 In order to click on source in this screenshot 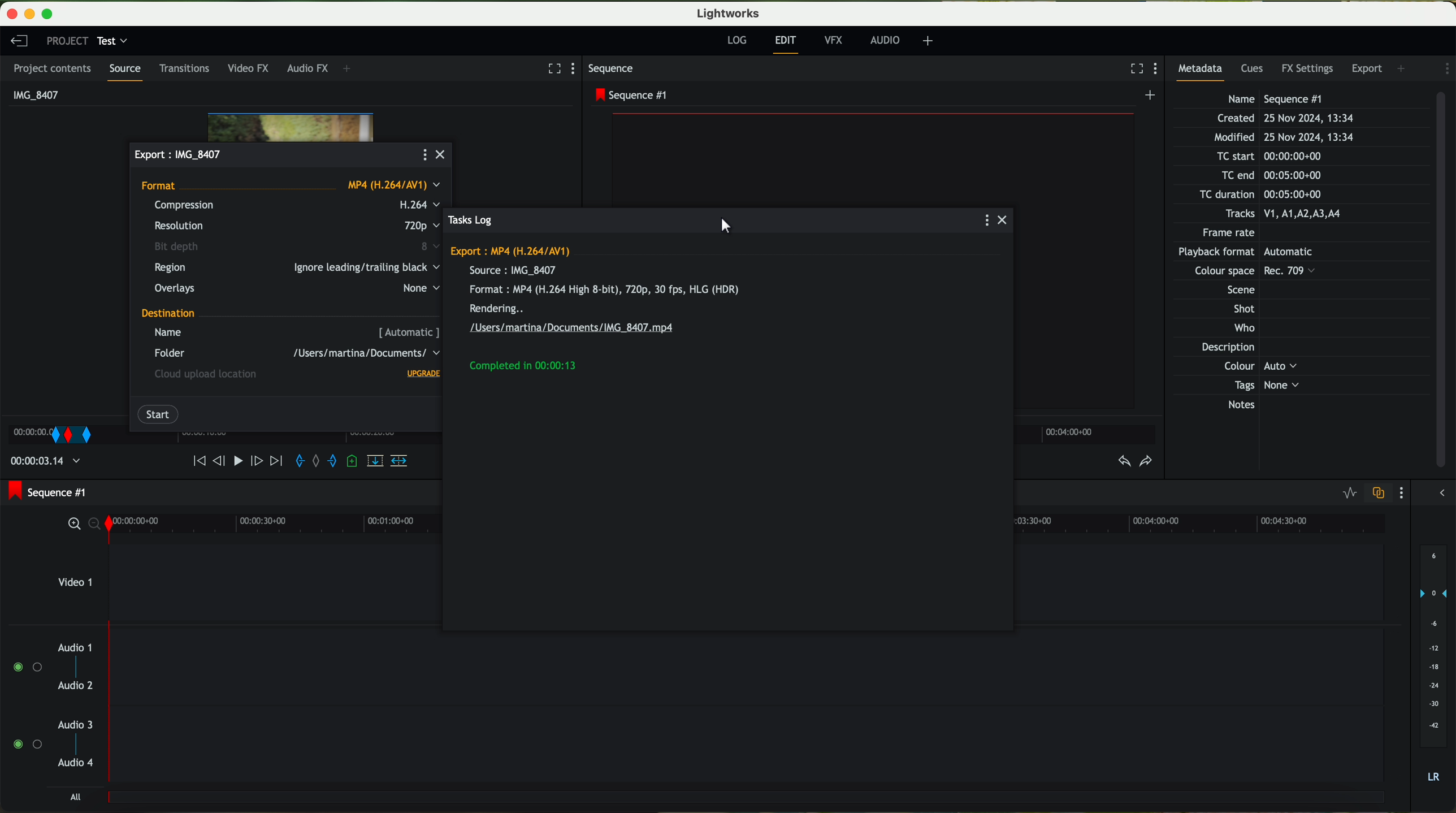, I will do `click(128, 72)`.